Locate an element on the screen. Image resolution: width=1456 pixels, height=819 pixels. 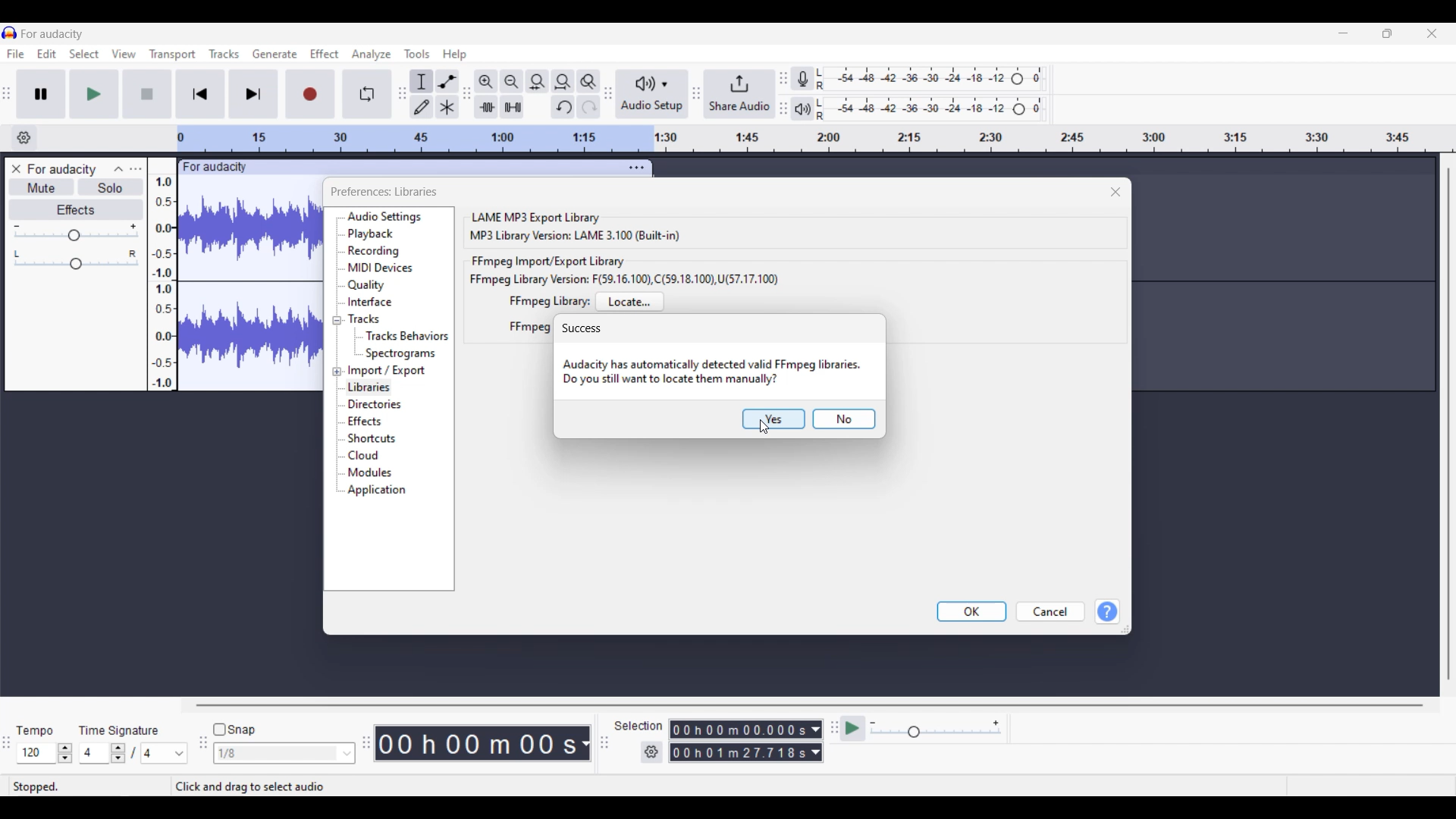
selection is located at coordinates (639, 726).